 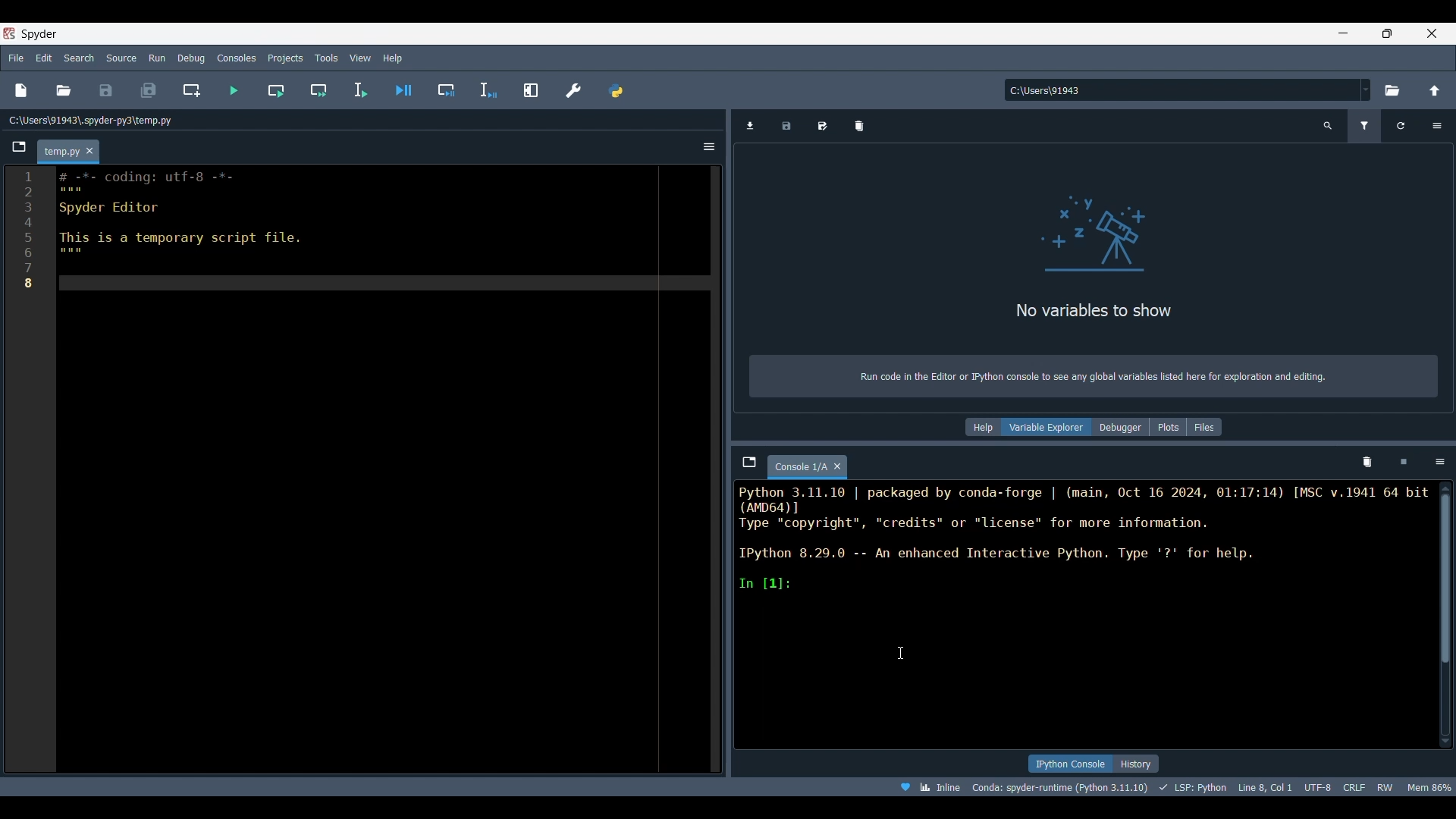 I want to click on Run menu, so click(x=157, y=56).